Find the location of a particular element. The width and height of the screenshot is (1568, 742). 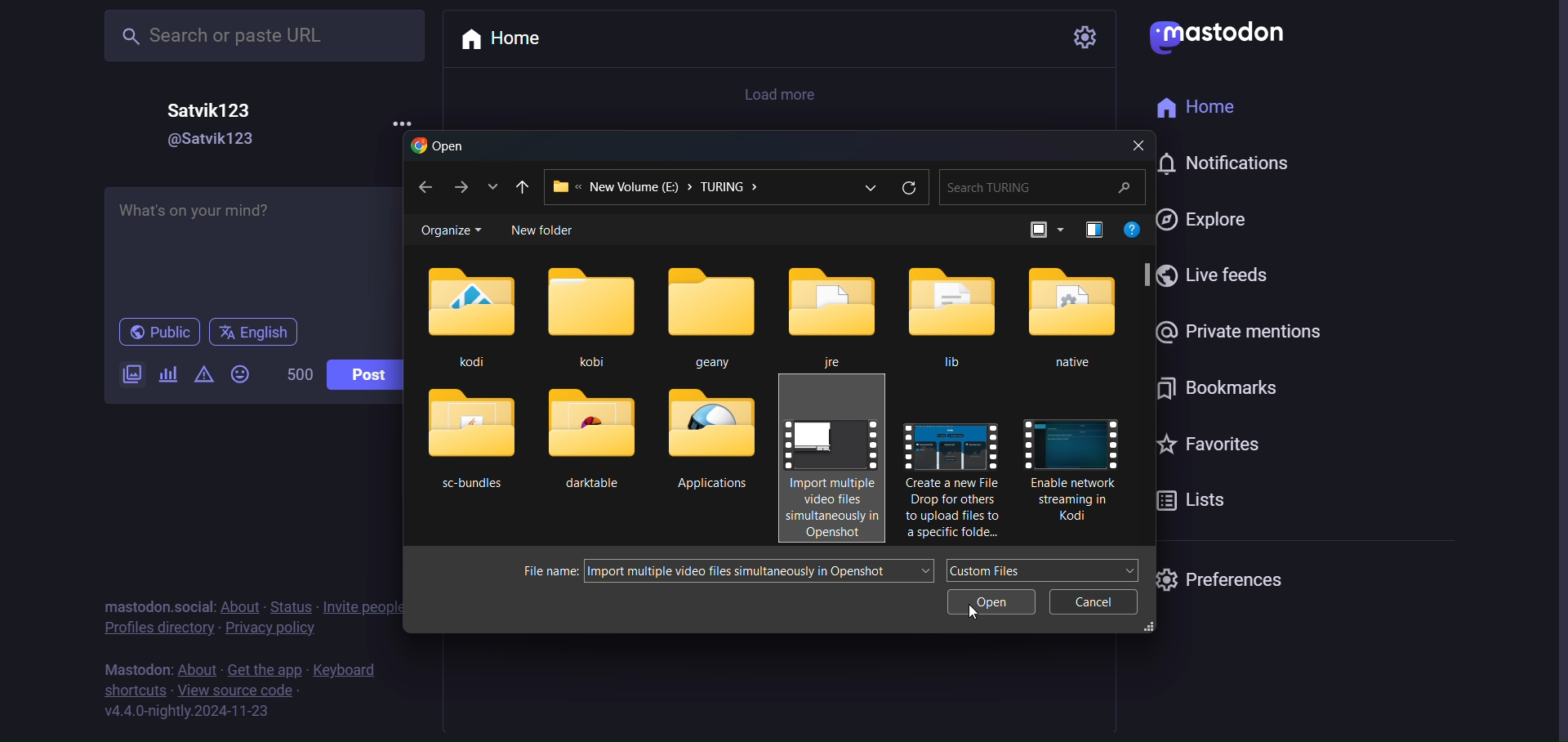

image/video is located at coordinates (127, 372).